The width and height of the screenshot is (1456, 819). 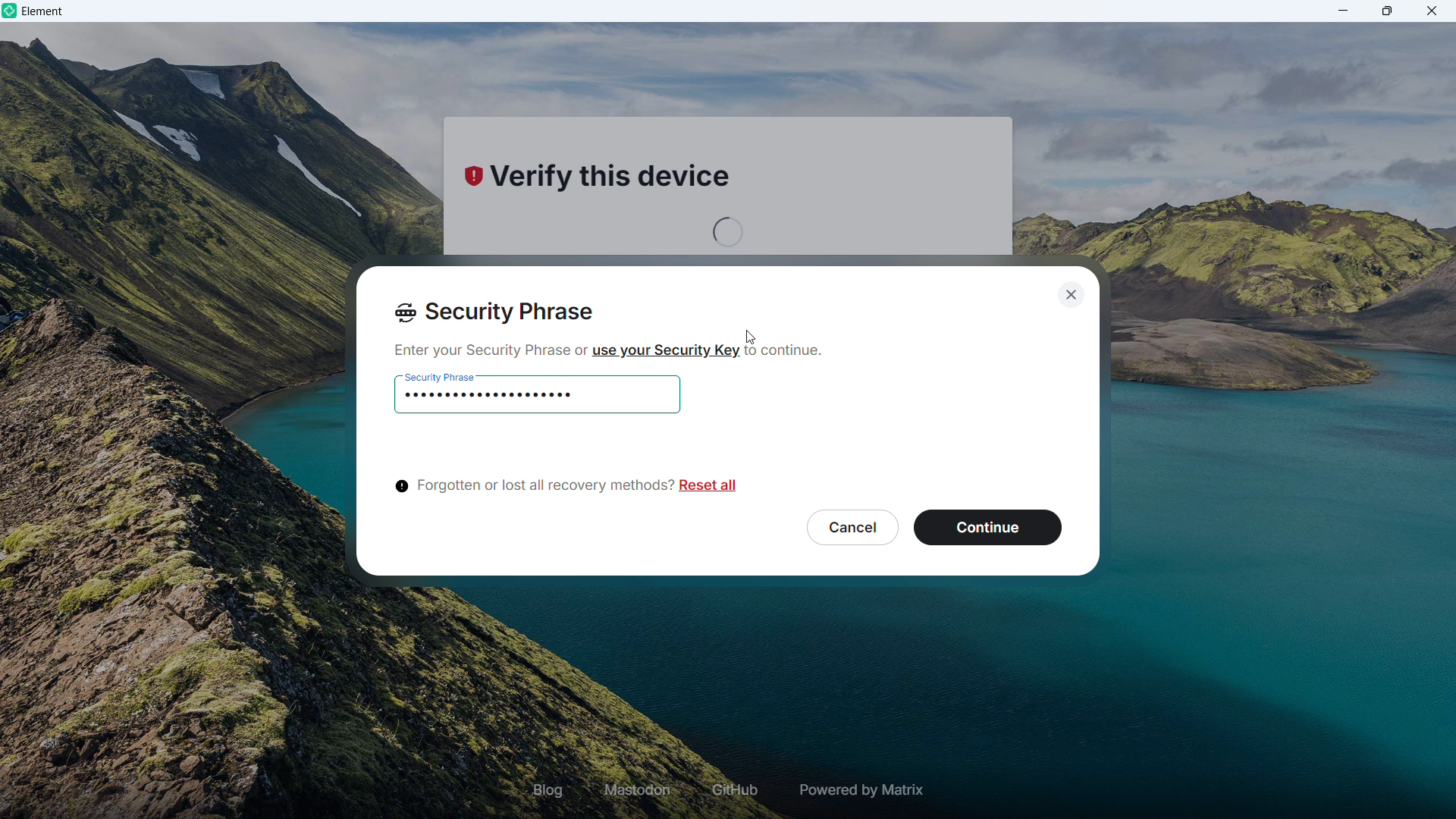 What do you see at coordinates (859, 790) in the screenshot?
I see `Powered by matrix ` at bounding box center [859, 790].